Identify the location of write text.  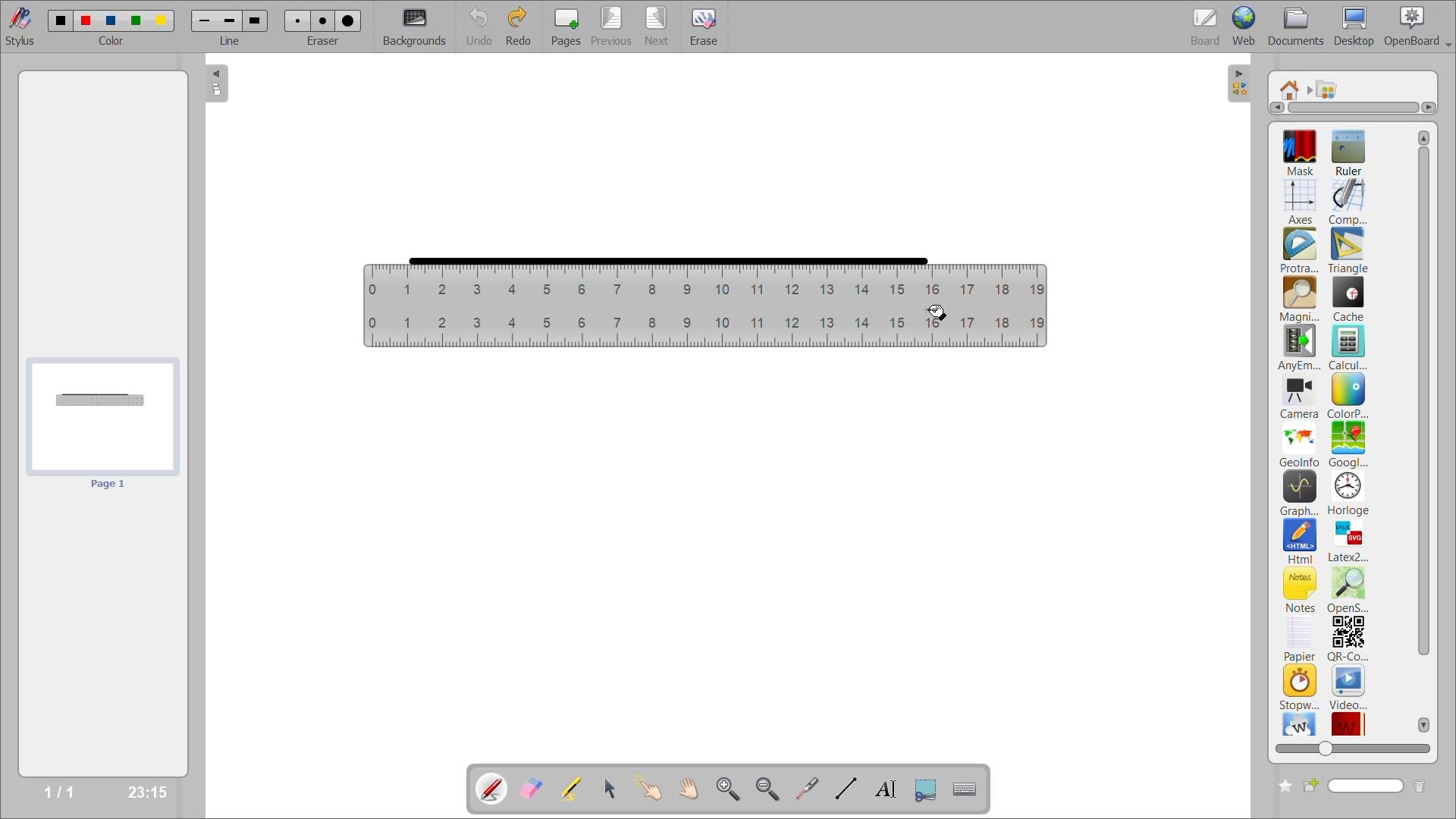
(885, 789).